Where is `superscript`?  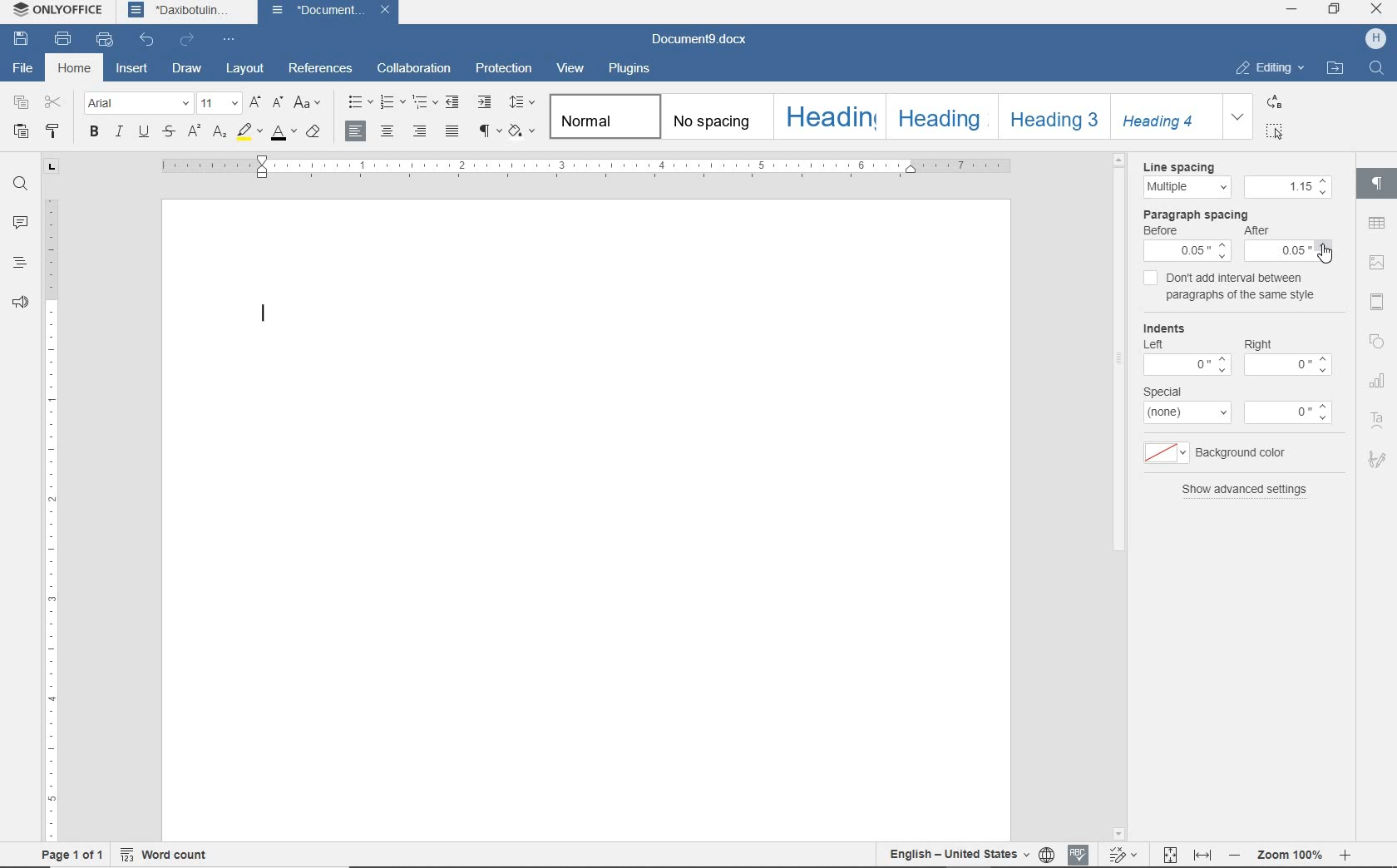
superscript is located at coordinates (195, 133).